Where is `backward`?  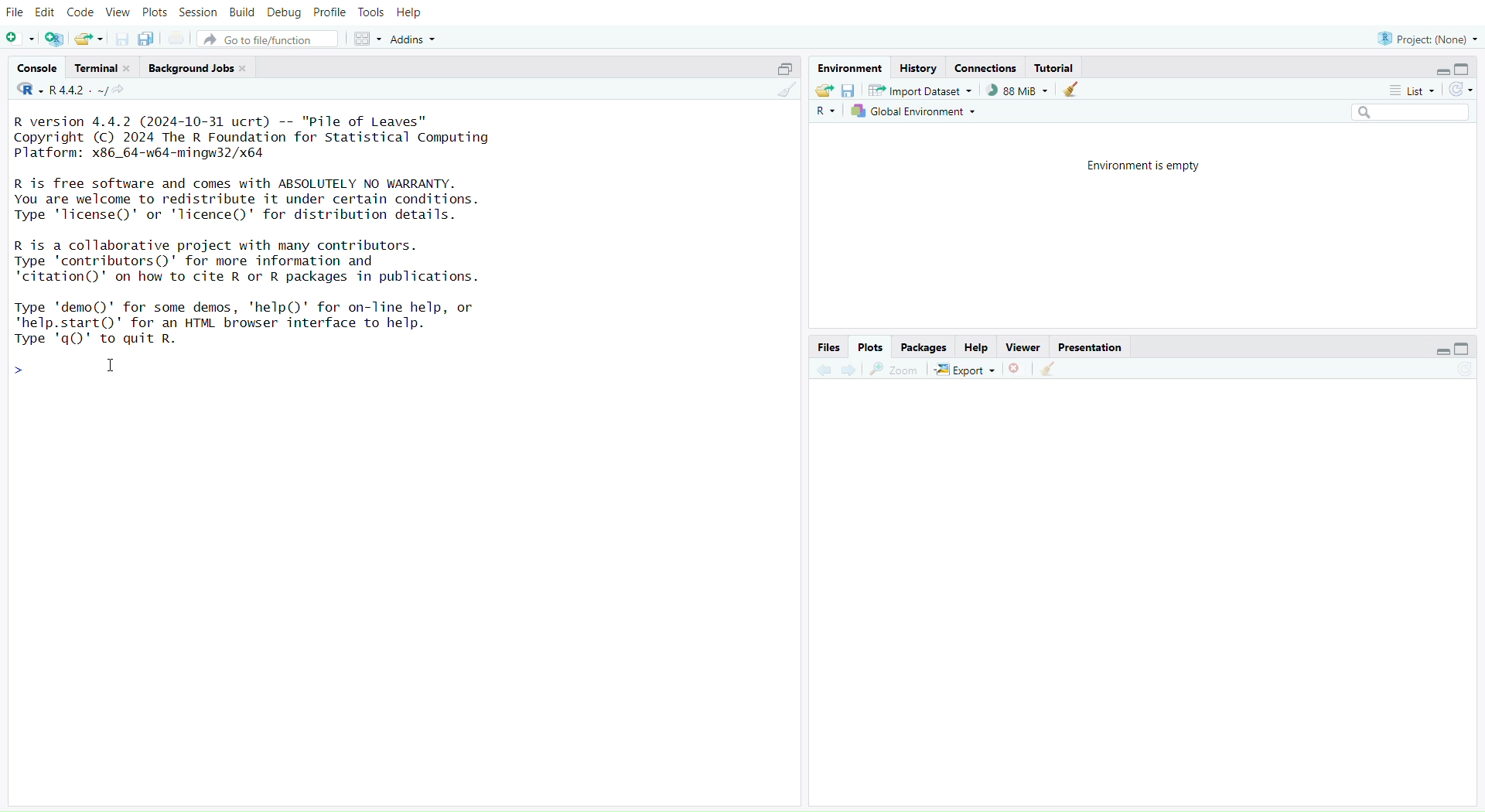 backward is located at coordinates (820, 370).